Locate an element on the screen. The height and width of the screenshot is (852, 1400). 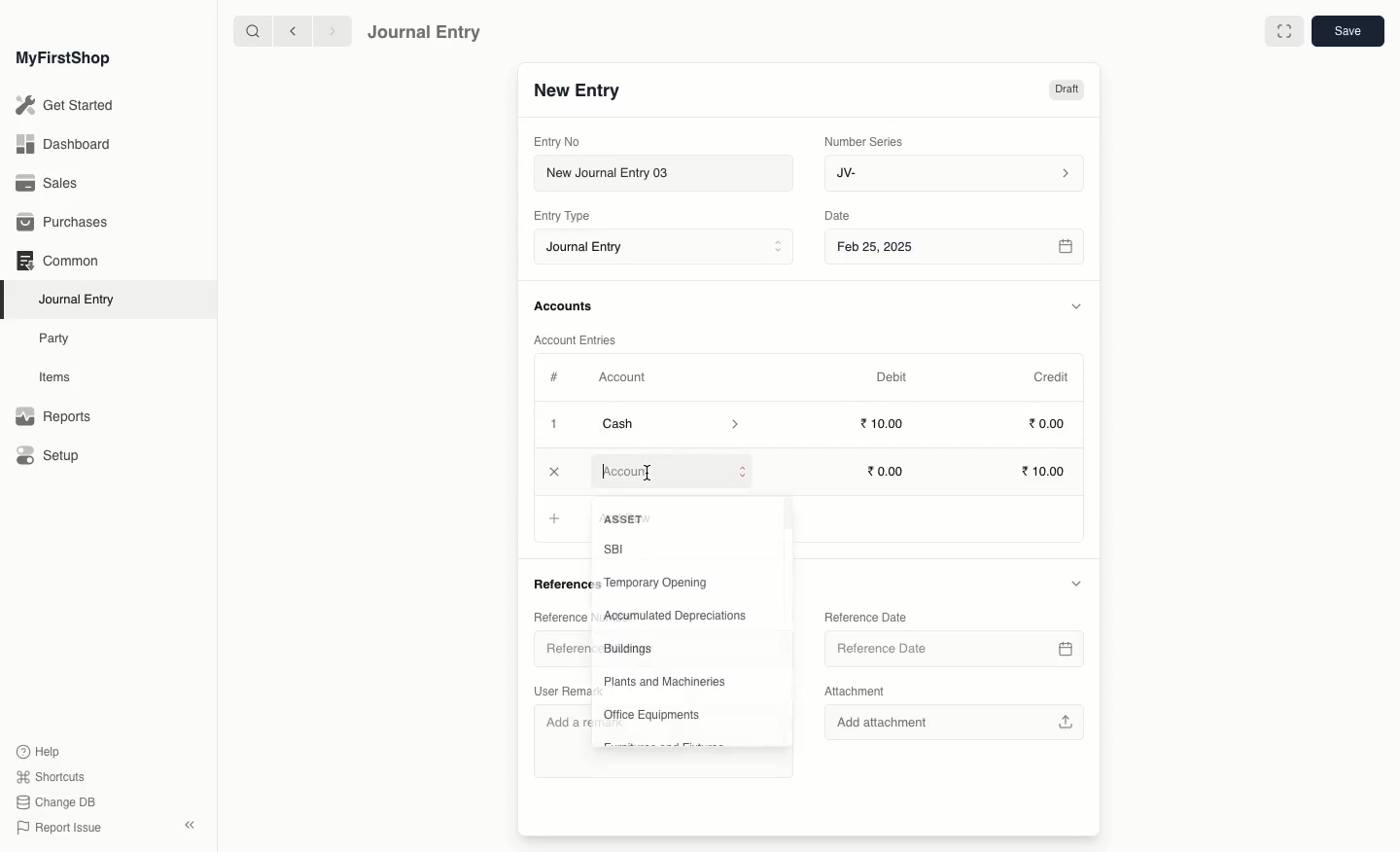
Items is located at coordinates (60, 377).